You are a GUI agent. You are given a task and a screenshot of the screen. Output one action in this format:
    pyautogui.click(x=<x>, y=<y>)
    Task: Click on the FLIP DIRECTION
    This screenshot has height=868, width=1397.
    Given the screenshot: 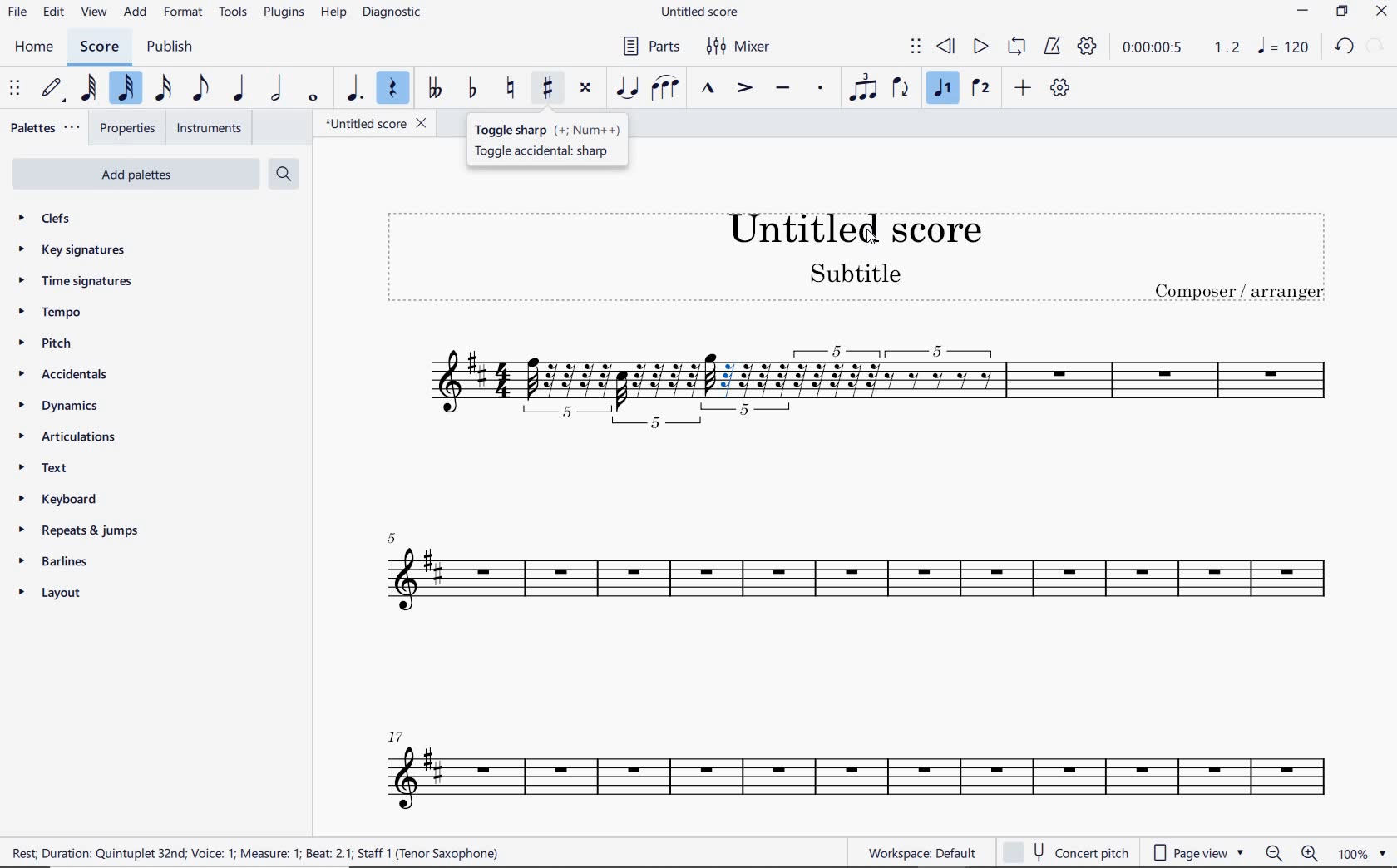 What is the action you would take?
    pyautogui.click(x=904, y=90)
    